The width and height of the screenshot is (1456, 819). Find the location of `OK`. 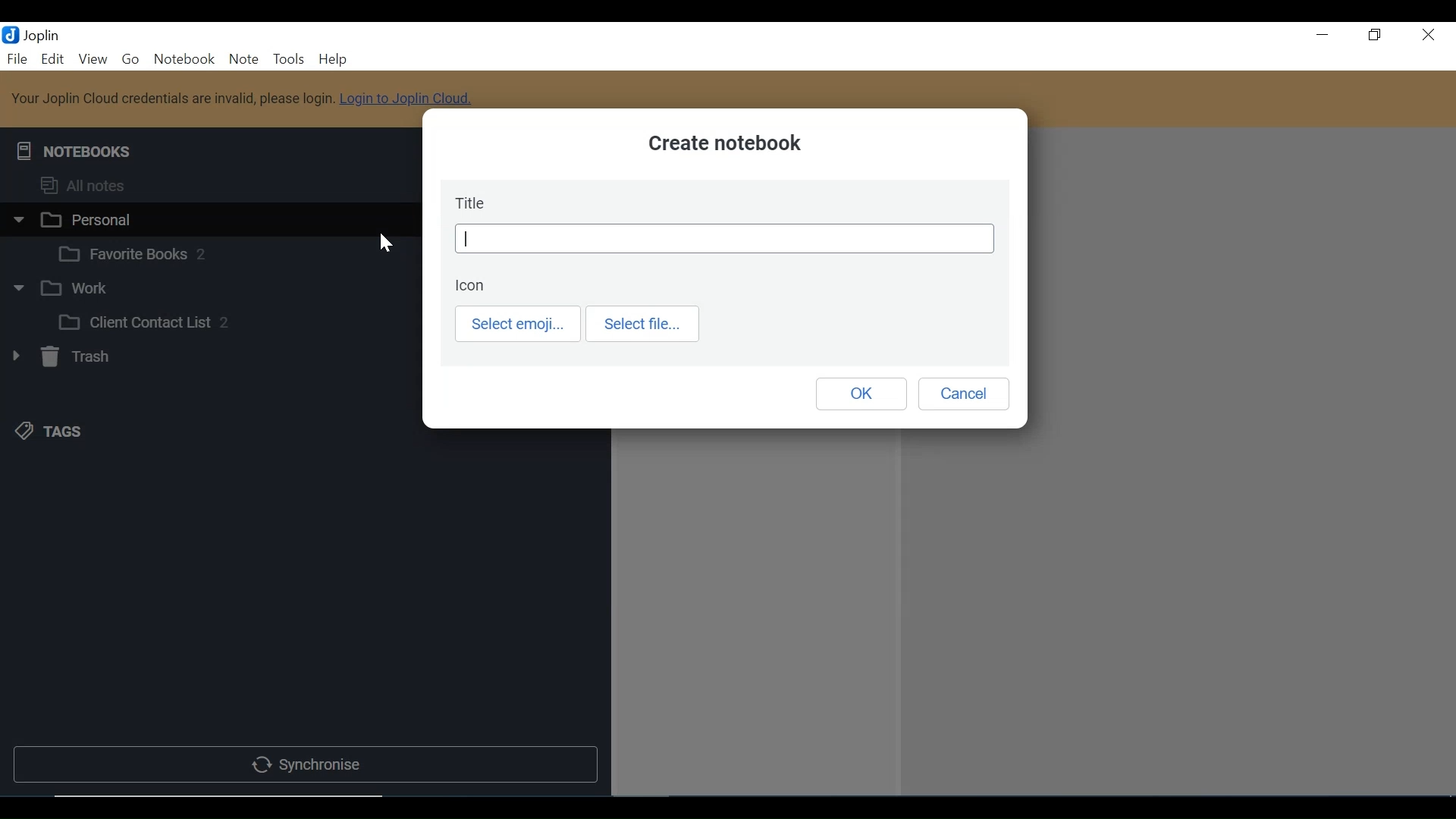

OK is located at coordinates (861, 394).